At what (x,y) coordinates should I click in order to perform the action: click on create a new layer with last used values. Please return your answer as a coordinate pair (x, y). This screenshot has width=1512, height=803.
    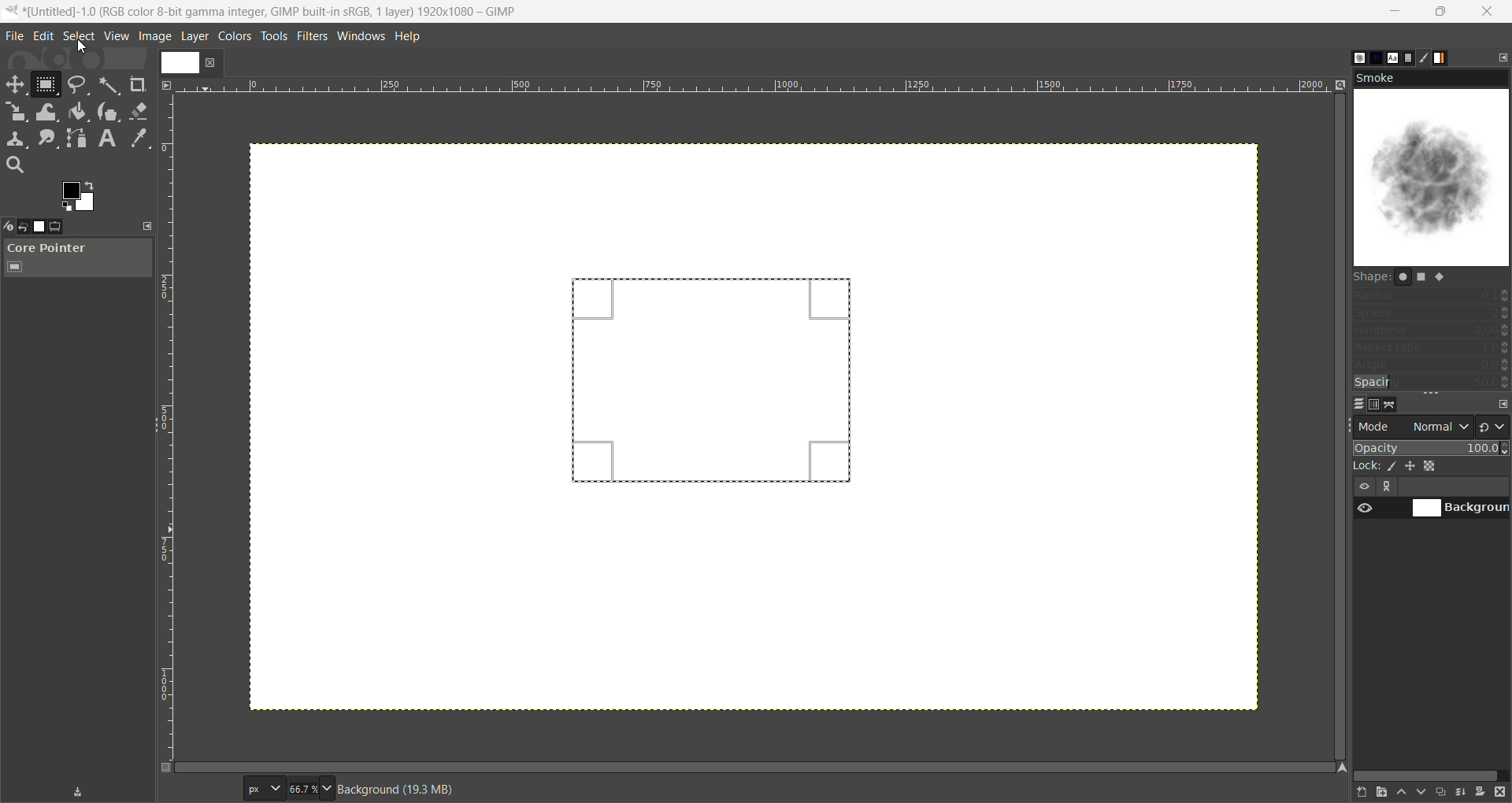
    Looking at the image, I should click on (1361, 793).